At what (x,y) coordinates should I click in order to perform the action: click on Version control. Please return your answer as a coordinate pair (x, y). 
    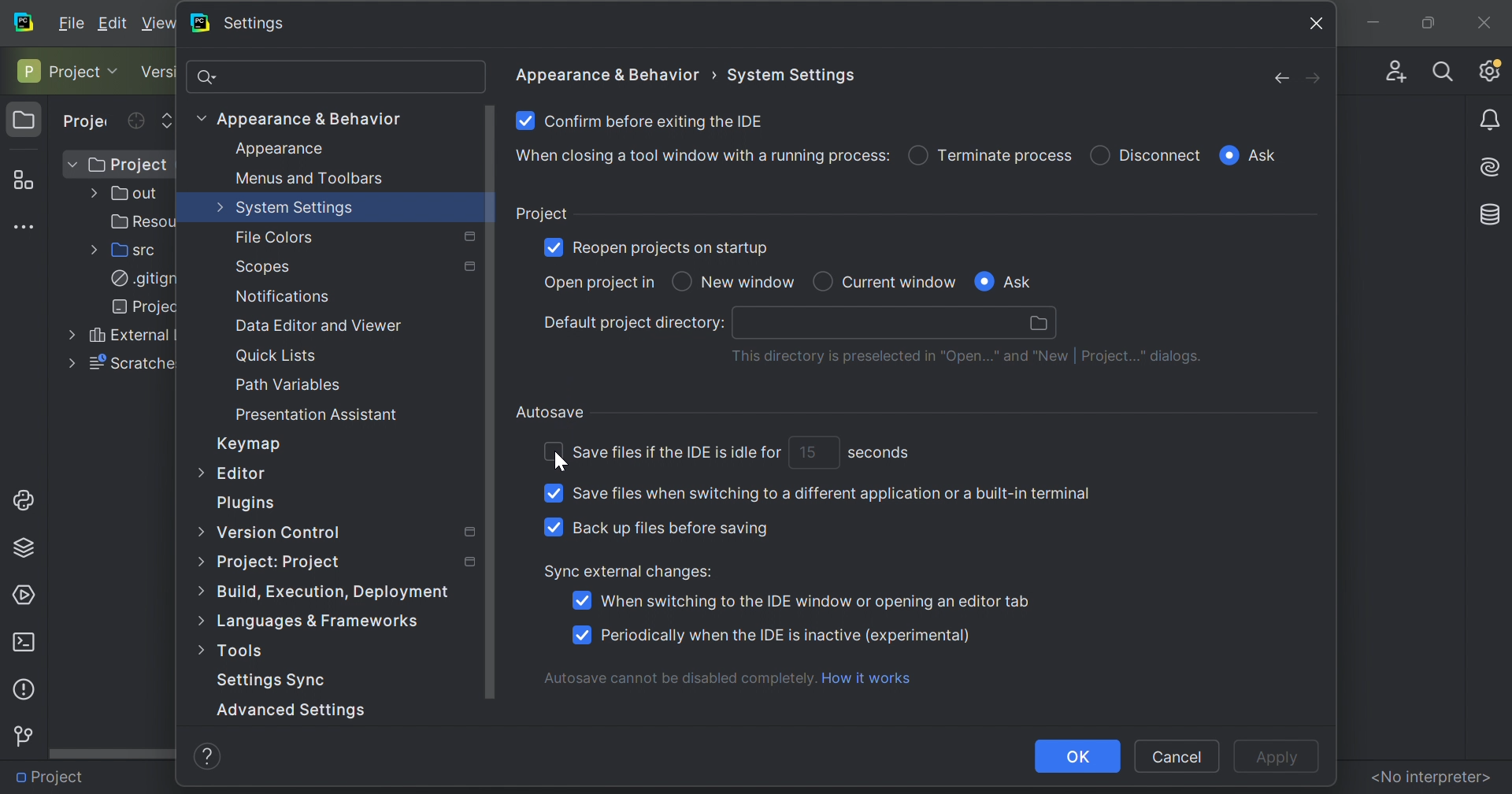
    Looking at the image, I should click on (22, 736).